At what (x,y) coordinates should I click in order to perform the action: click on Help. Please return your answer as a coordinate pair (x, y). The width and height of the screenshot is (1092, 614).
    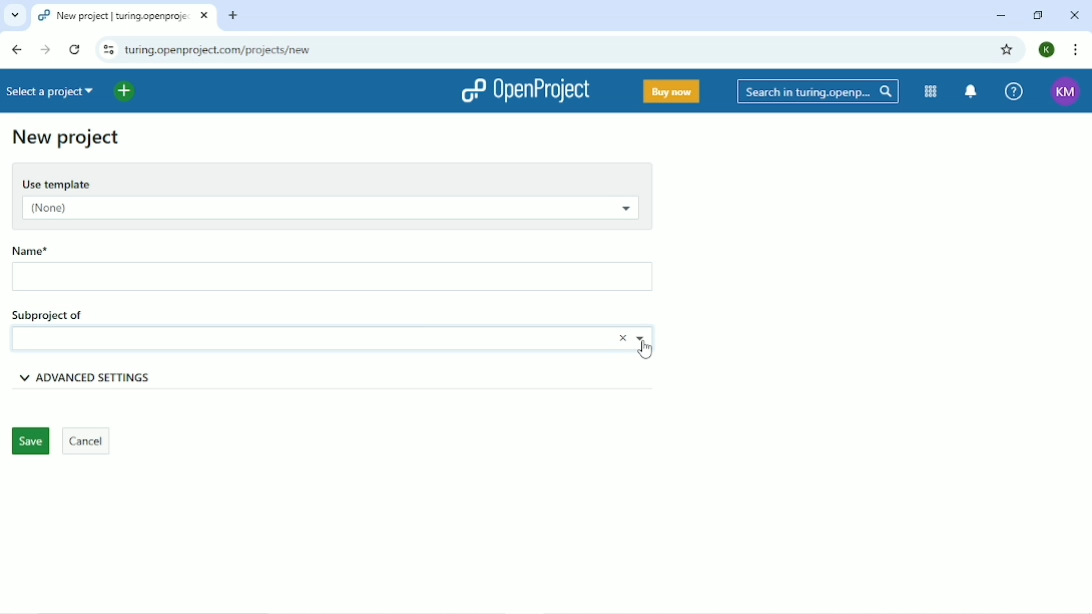
    Looking at the image, I should click on (1014, 90).